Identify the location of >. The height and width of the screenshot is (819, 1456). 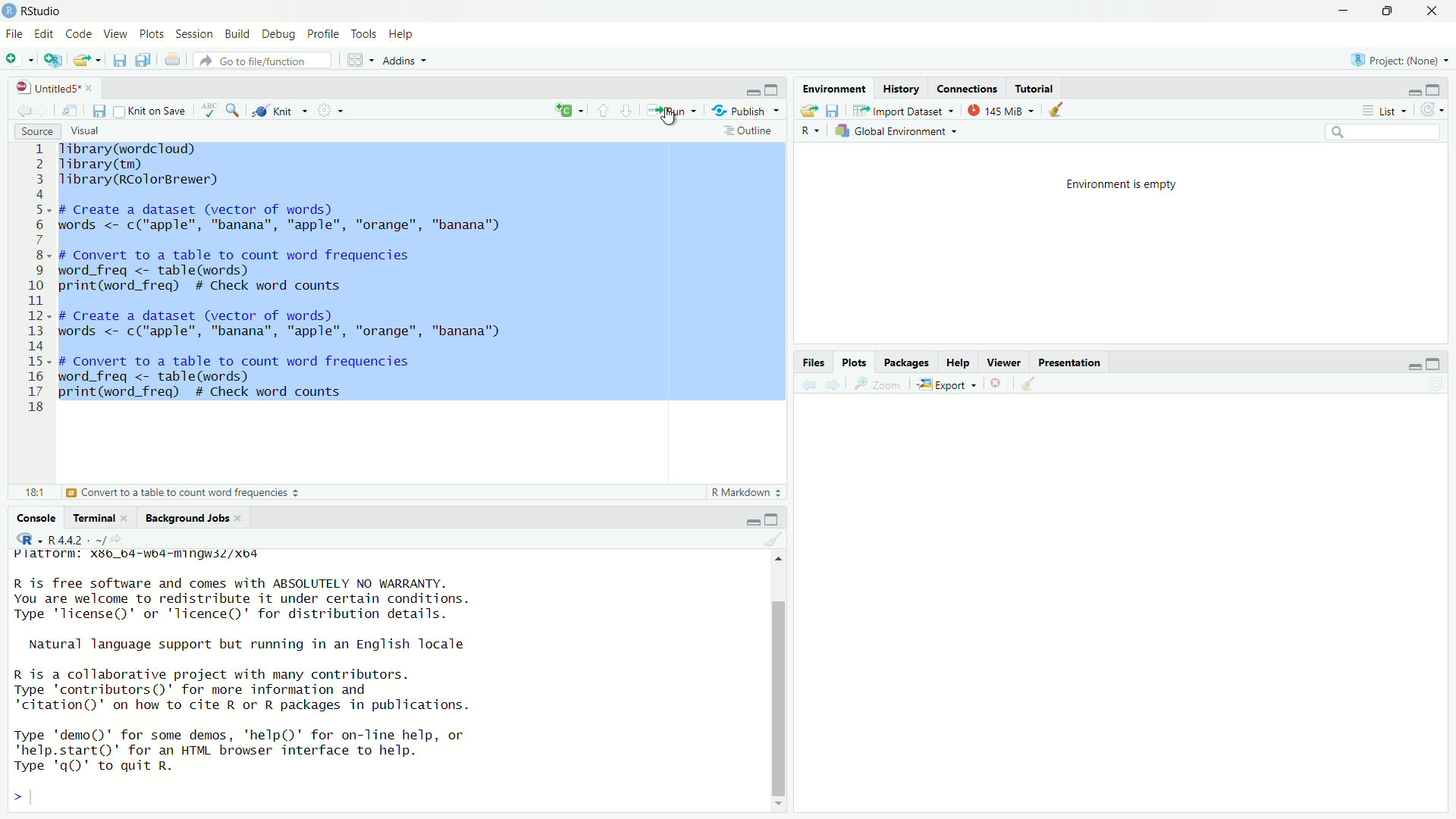
(22, 798).